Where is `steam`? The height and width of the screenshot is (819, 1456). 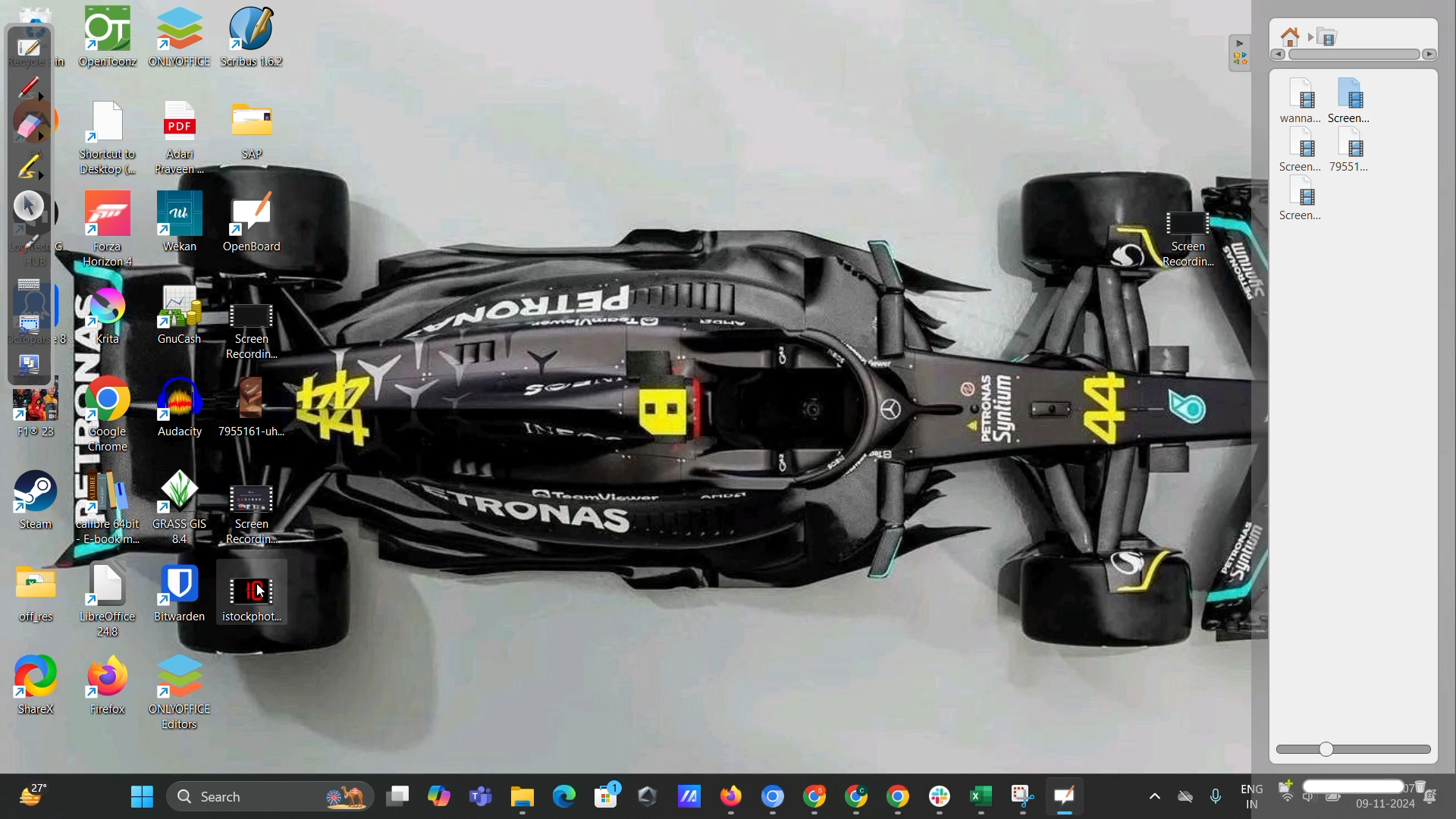
steam is located at coordinates (39, 502).